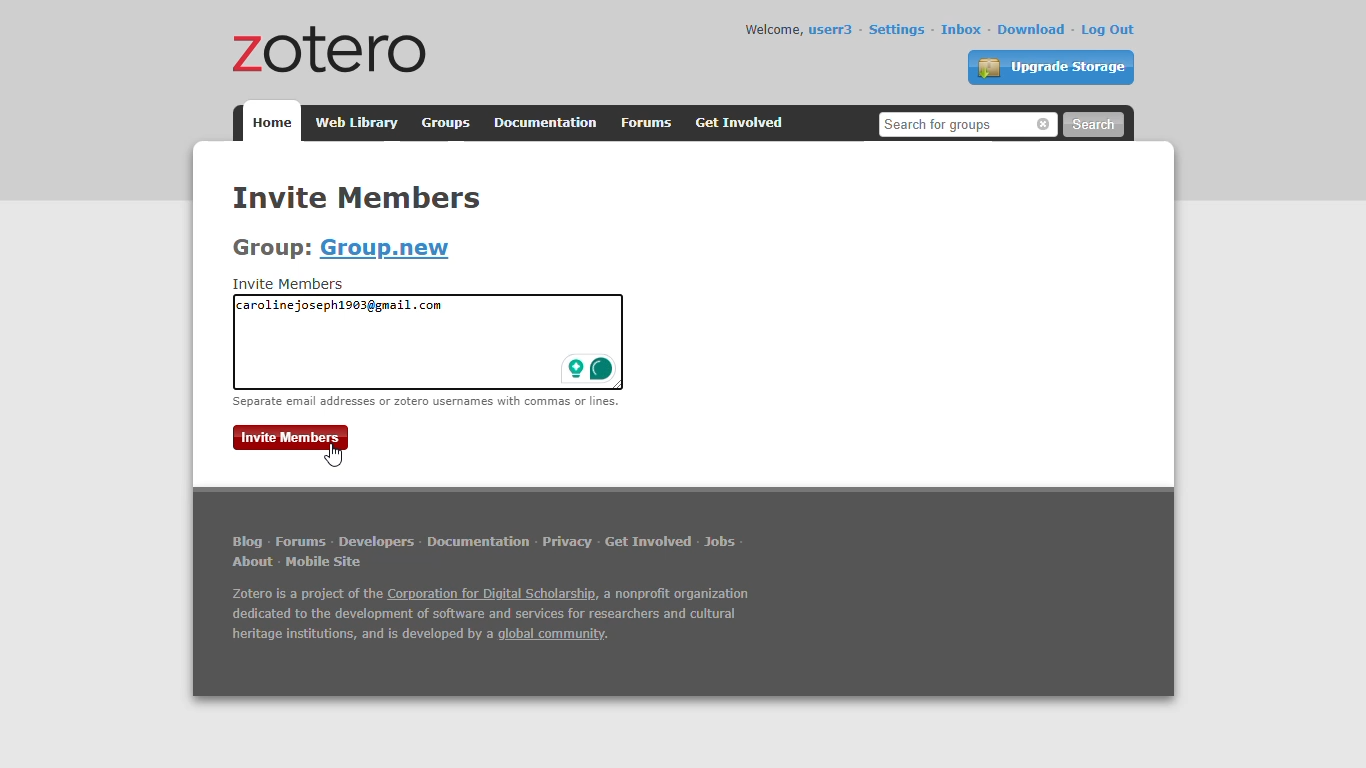 This screenshot has height=768, width=1366. What do you see at coordinates (649, 541) in the screenshot?
I see `get involved` at bounding box center [649, 541].